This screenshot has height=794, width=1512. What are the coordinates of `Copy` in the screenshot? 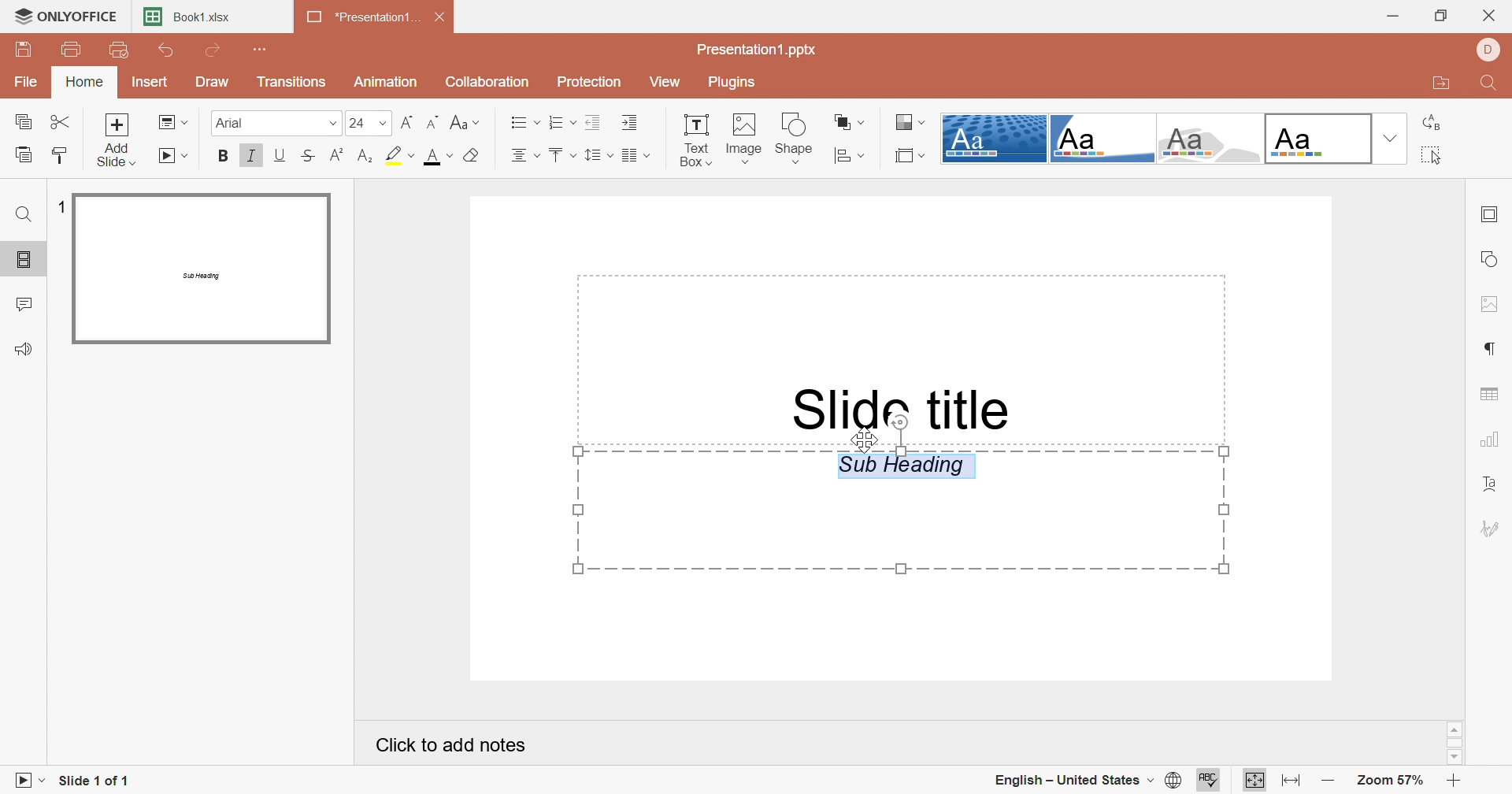 It's located at (24, 119).